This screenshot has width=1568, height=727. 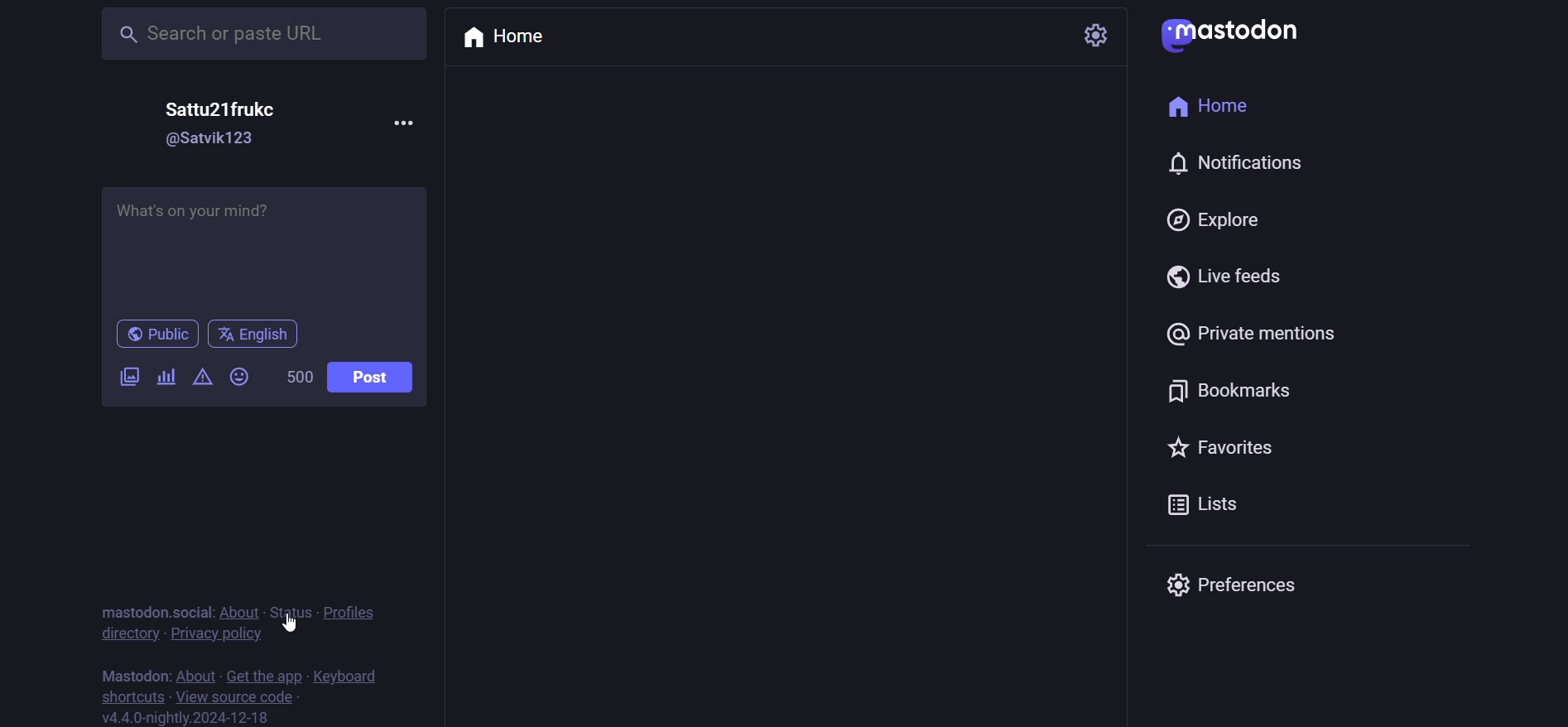 I want to click on sattu21frukc, so click(x=228, y=106).